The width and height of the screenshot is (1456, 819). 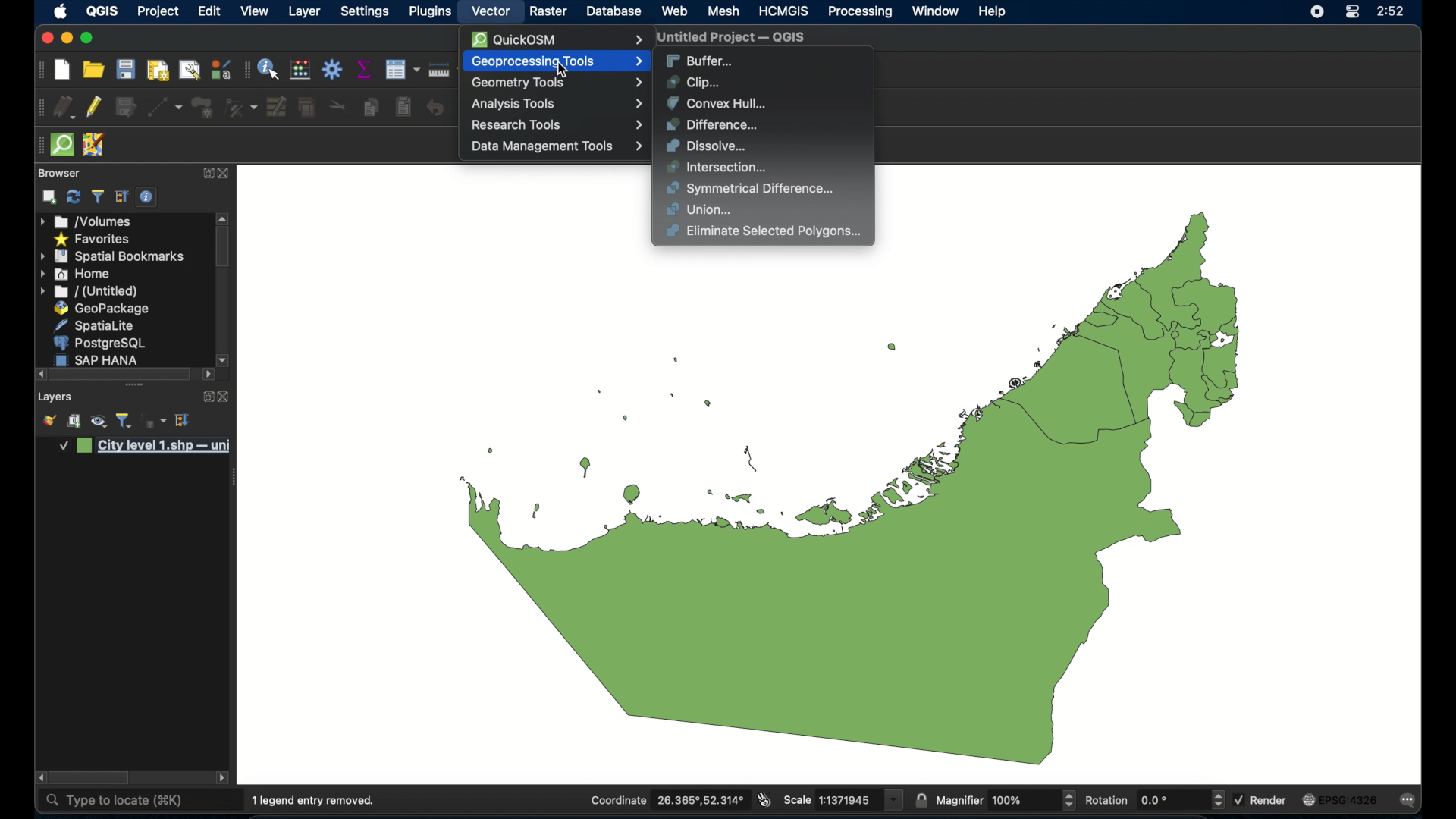 What do you see at coordinates (435, 108) in the screenshot?
I see `undo` at bounding box center [435, 108].